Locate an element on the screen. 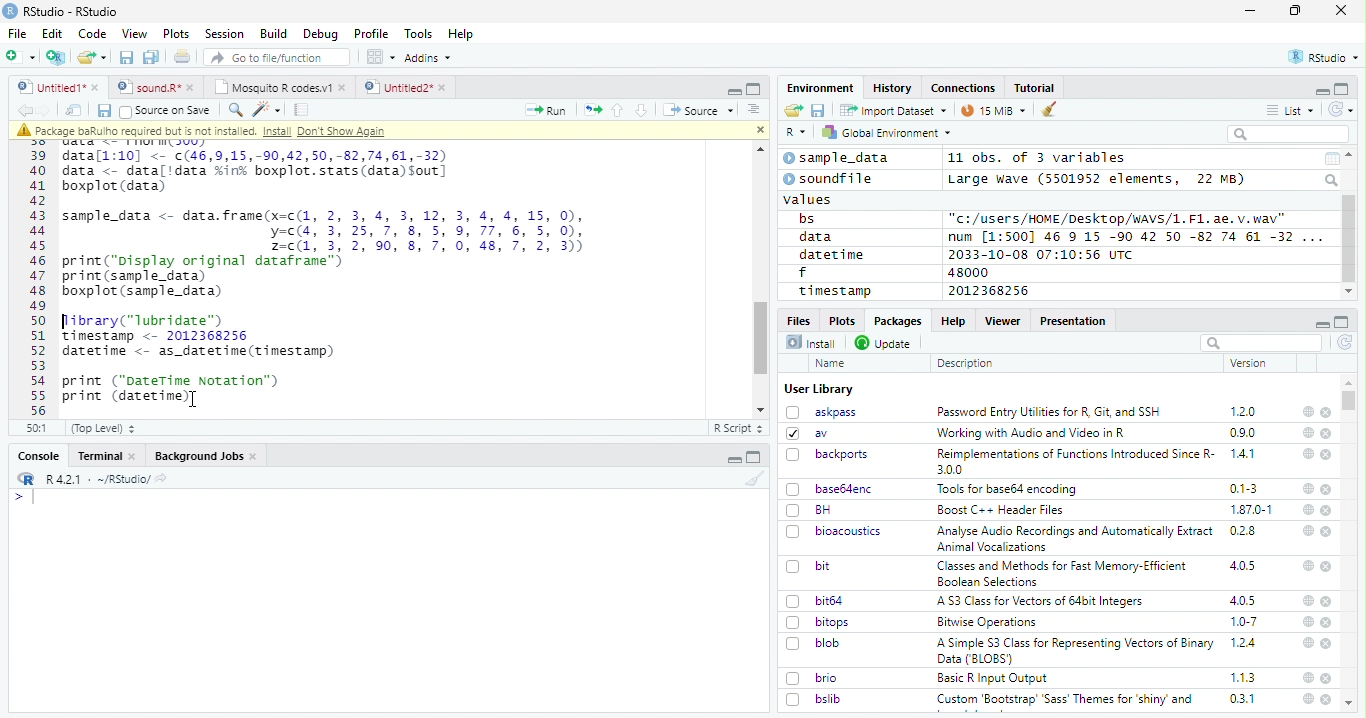 The height and width of the screenshot is (718, 1366). ‘Working with Audio and Video inR is located at coordinates (1033, 433).